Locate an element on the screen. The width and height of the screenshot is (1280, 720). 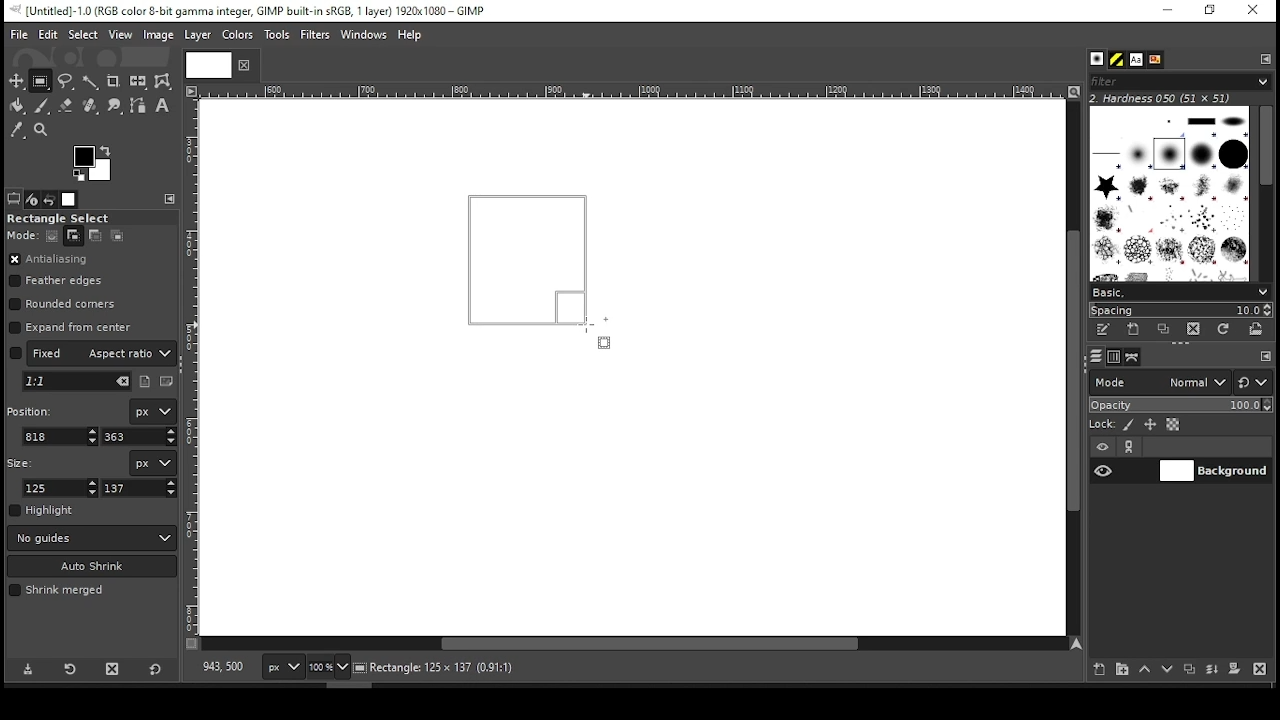
create a new brush is located at coordinates (1136, 329).